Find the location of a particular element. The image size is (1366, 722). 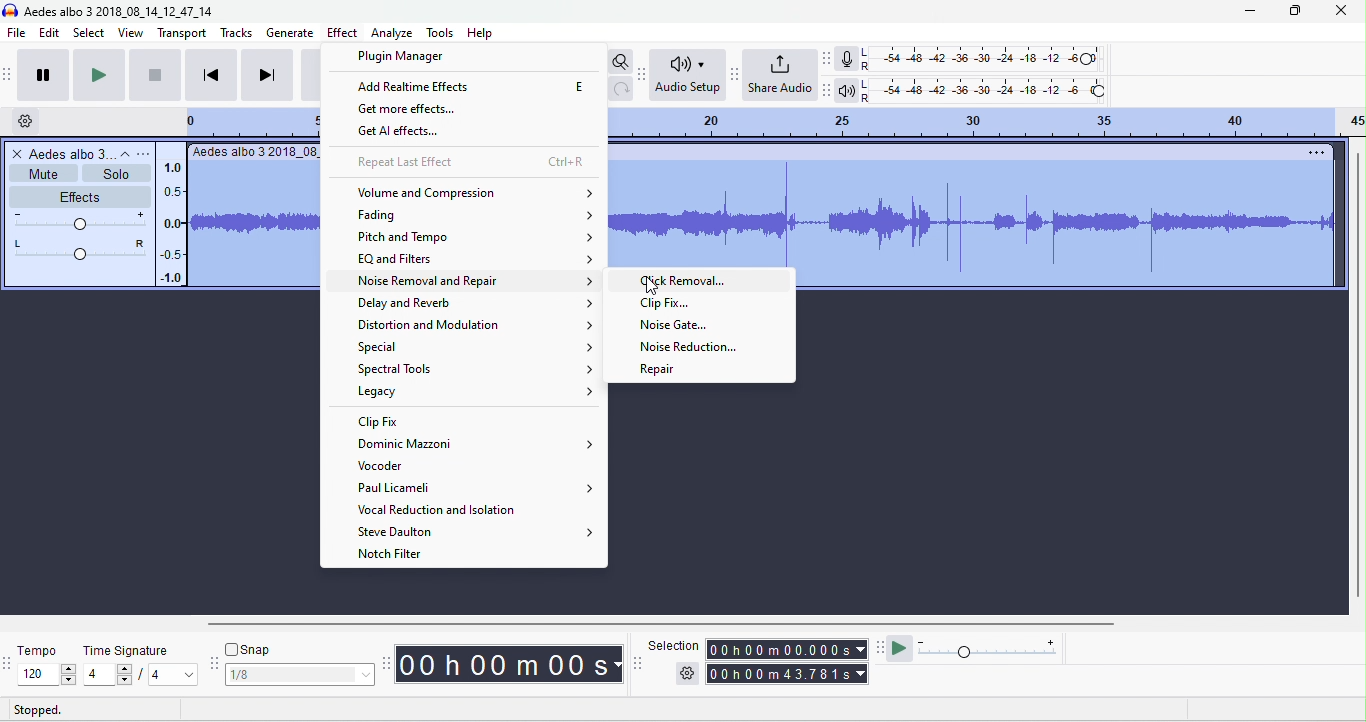

noise gate is located at coordinates (678, 327).